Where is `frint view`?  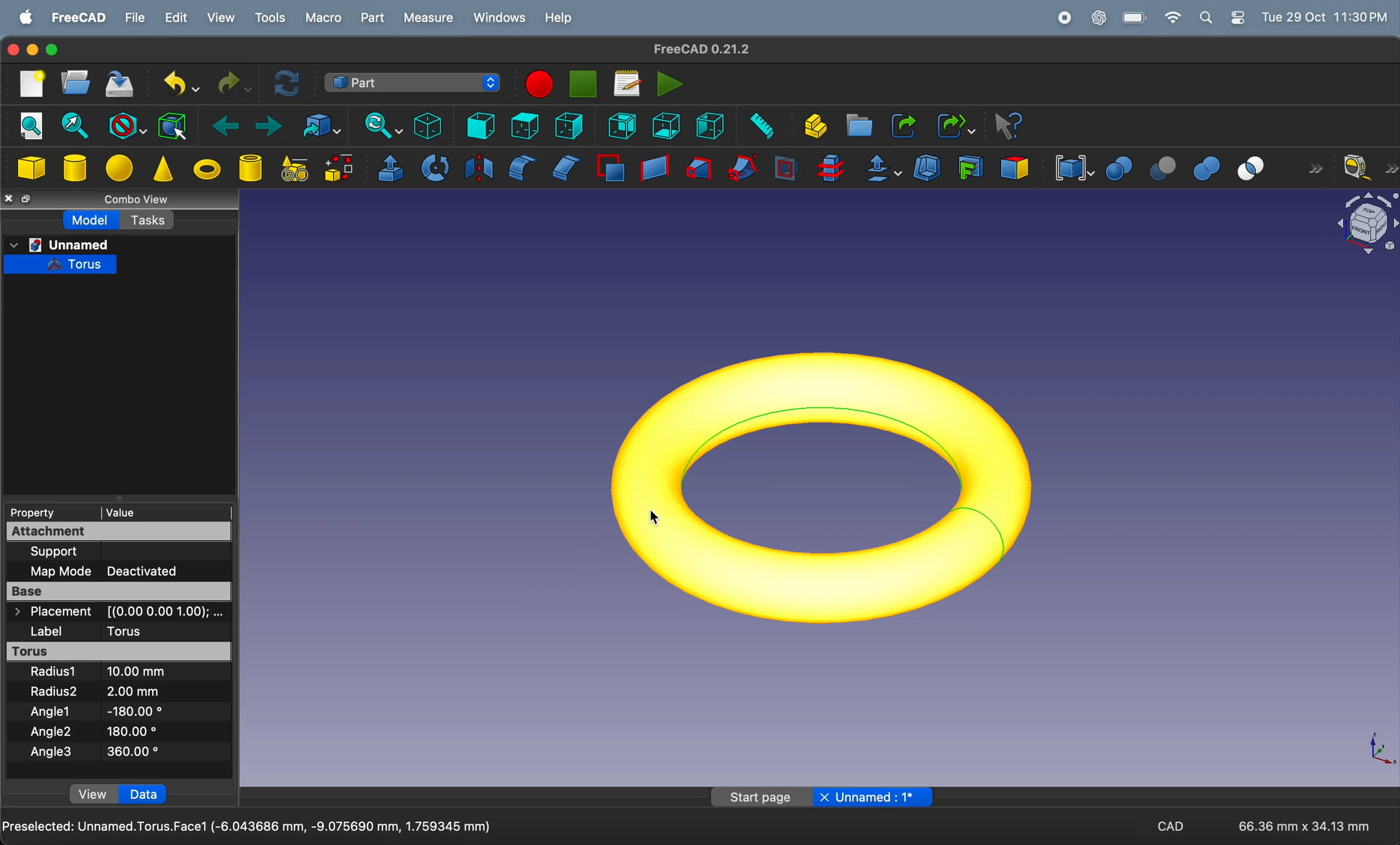 frint view is located at coordinates (476, 126).